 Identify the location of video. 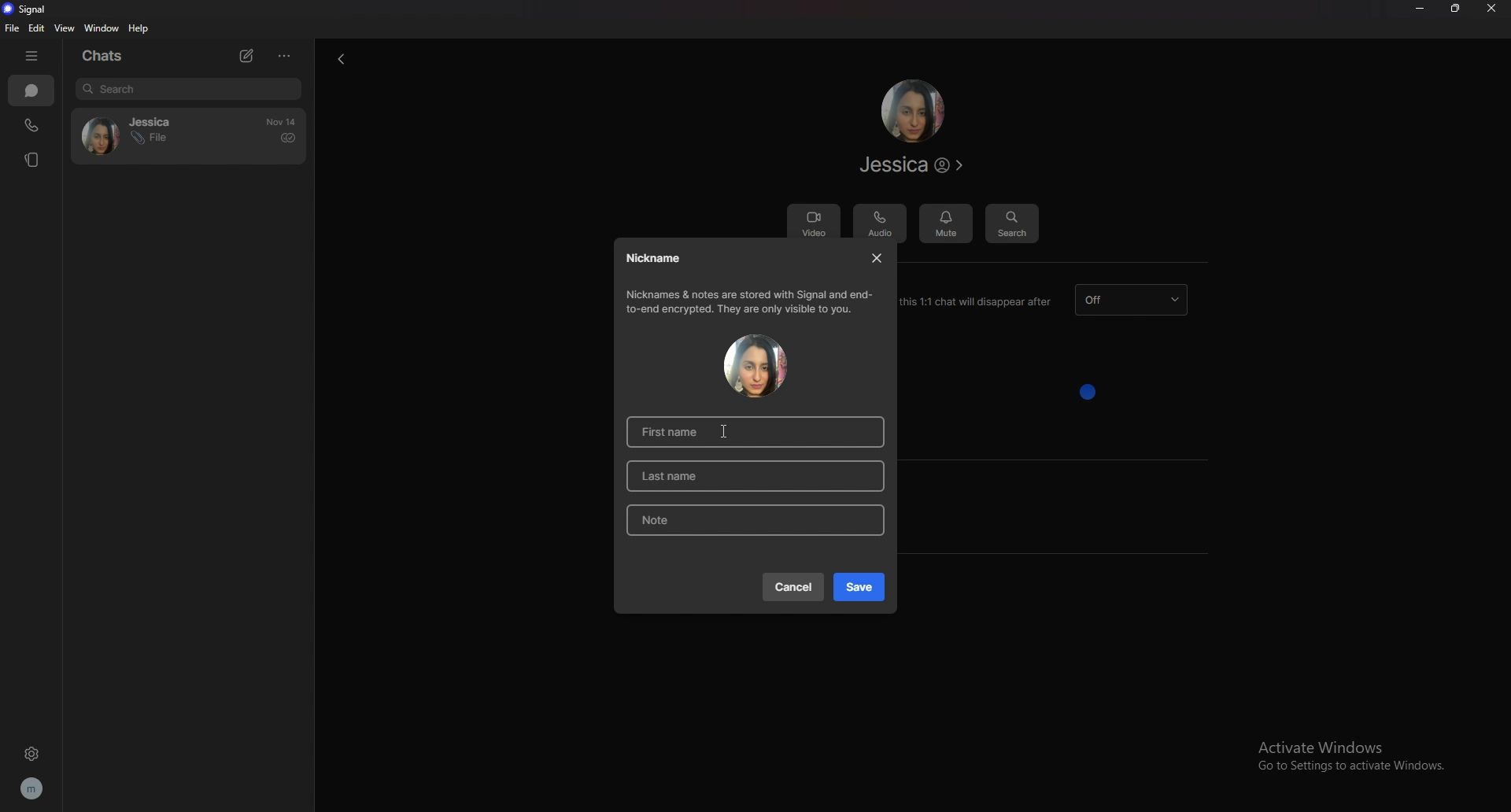
(813, 223).